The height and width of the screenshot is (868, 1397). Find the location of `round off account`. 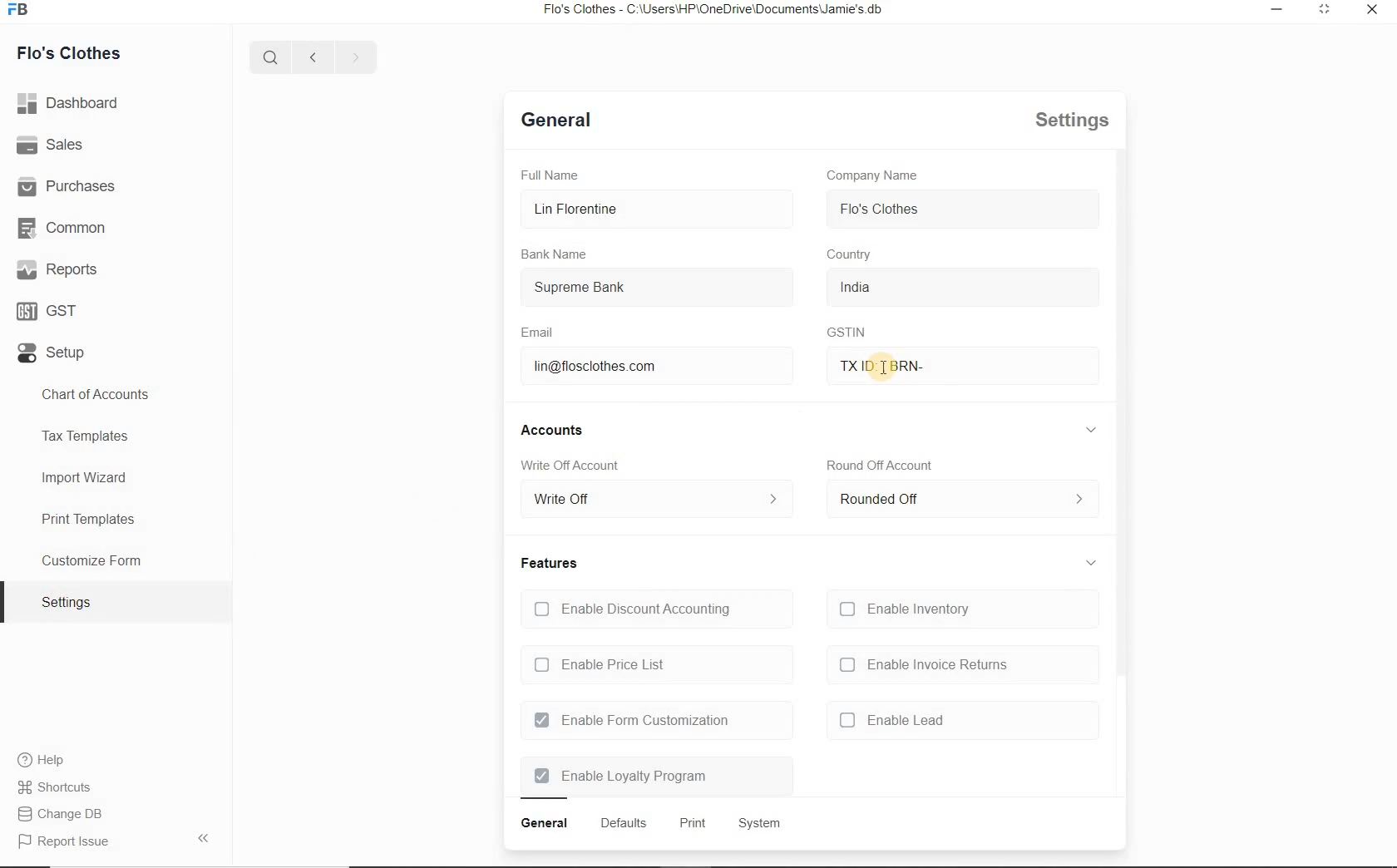

round off account is located at coordinates (880, 465).